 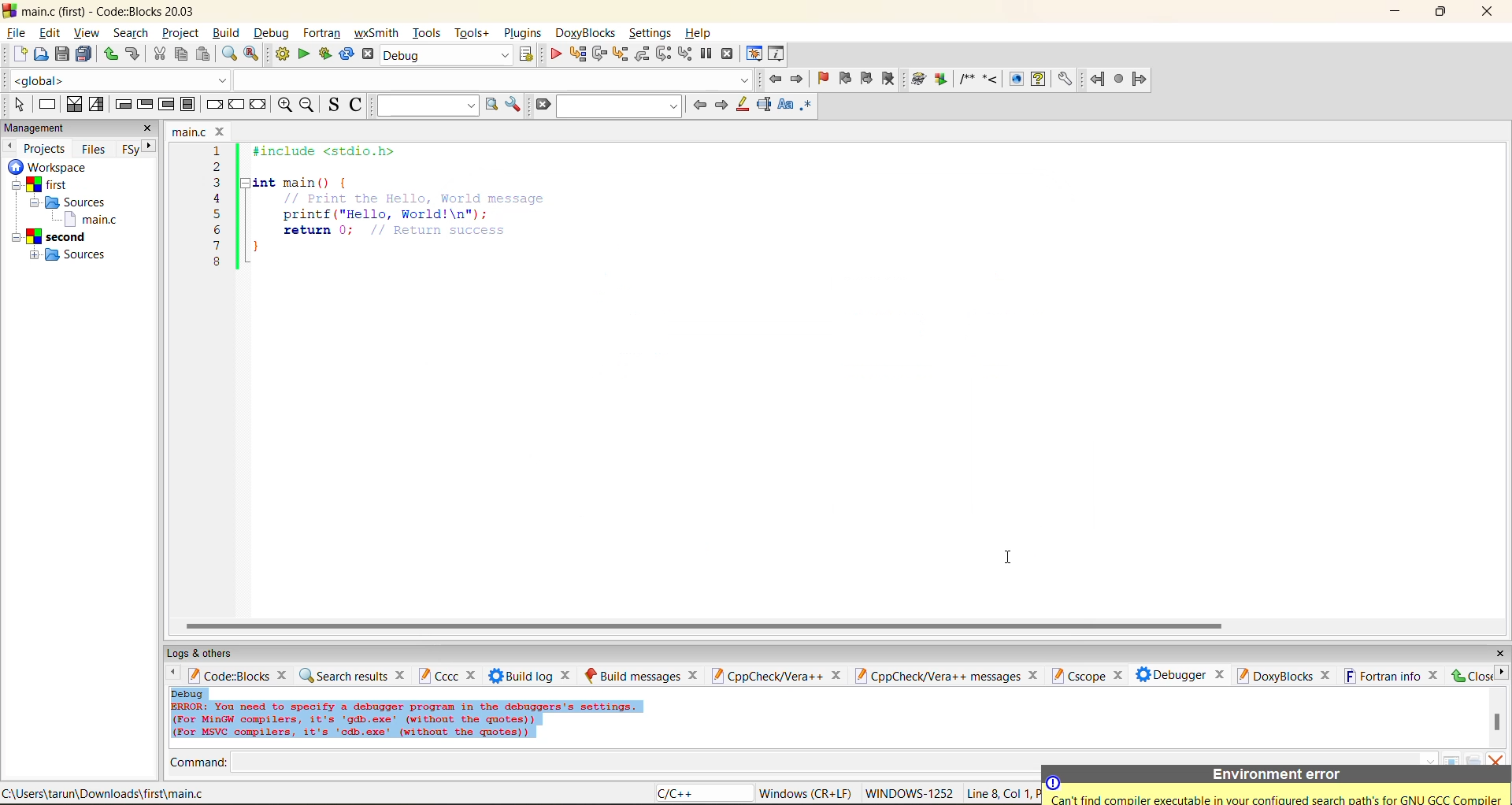 What do you see at coordinates (252, 54) in the screenshot?
I see `replace` at bounding box center [252, 54].